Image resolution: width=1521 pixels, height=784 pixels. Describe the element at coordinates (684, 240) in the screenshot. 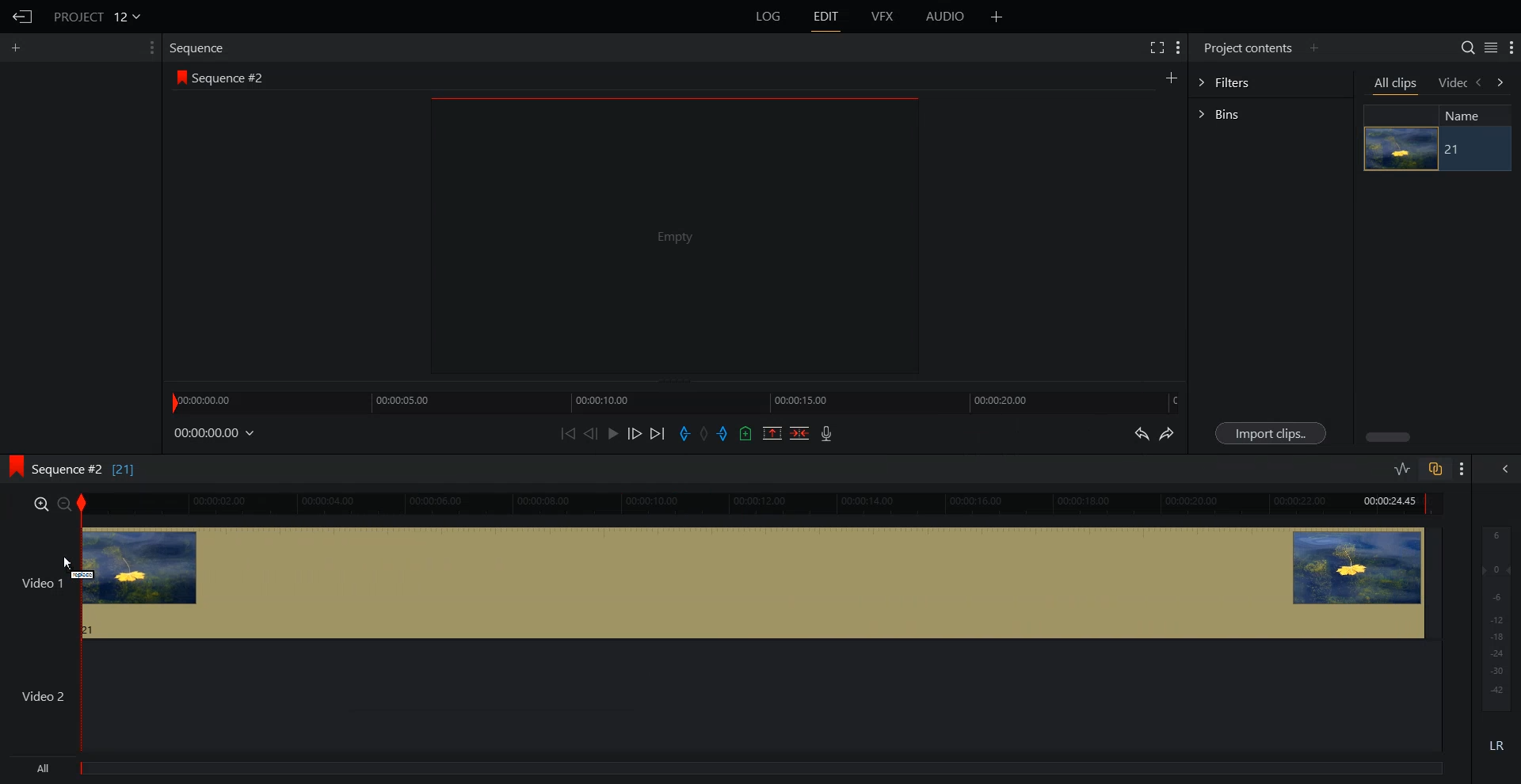

I see `Video Preview` at that location.